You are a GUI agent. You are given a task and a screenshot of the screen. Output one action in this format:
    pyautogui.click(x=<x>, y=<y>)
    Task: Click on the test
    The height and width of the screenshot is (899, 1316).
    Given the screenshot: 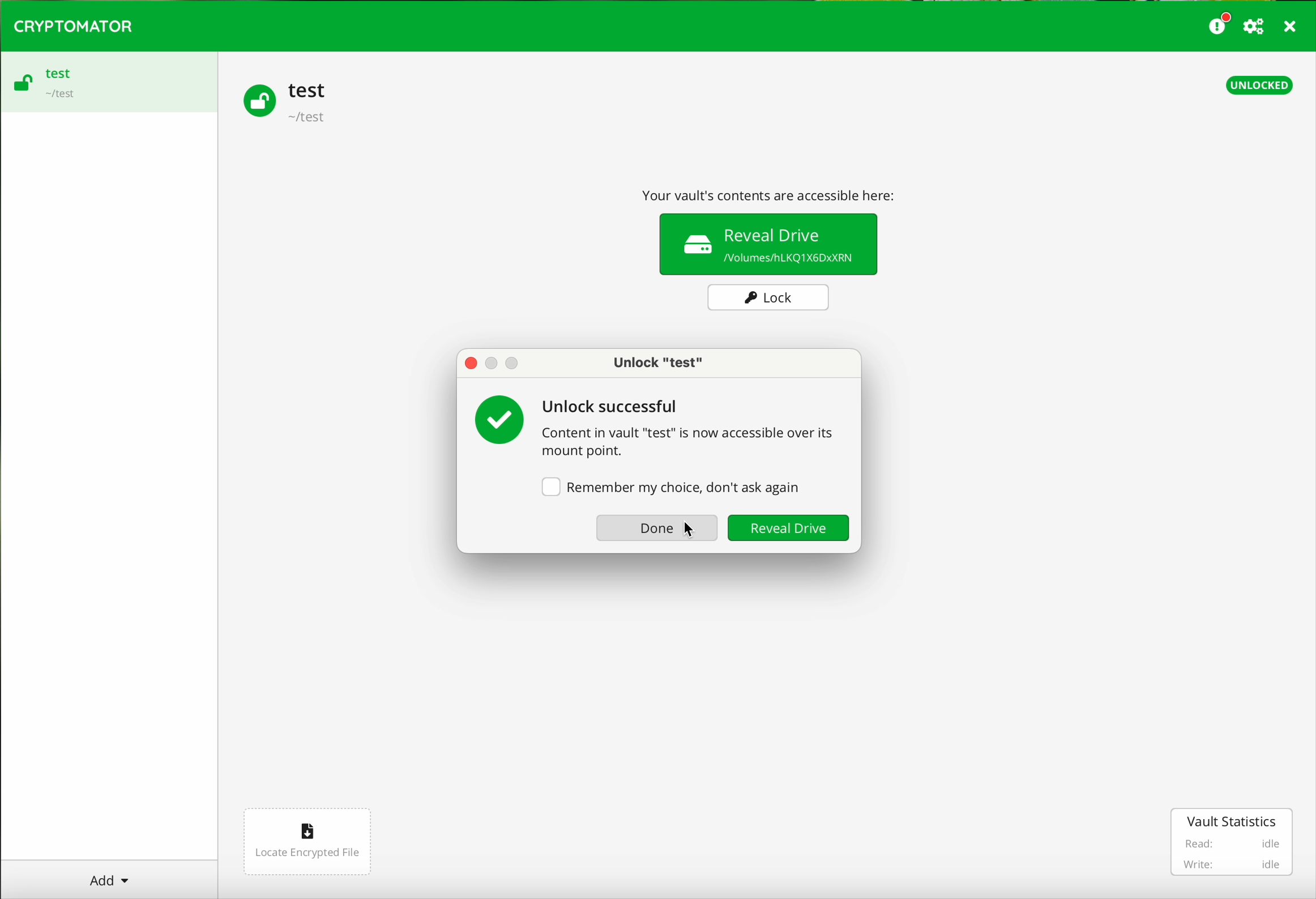 What is the action you would take?
    pyautogui.click(x=58, y=73)
    